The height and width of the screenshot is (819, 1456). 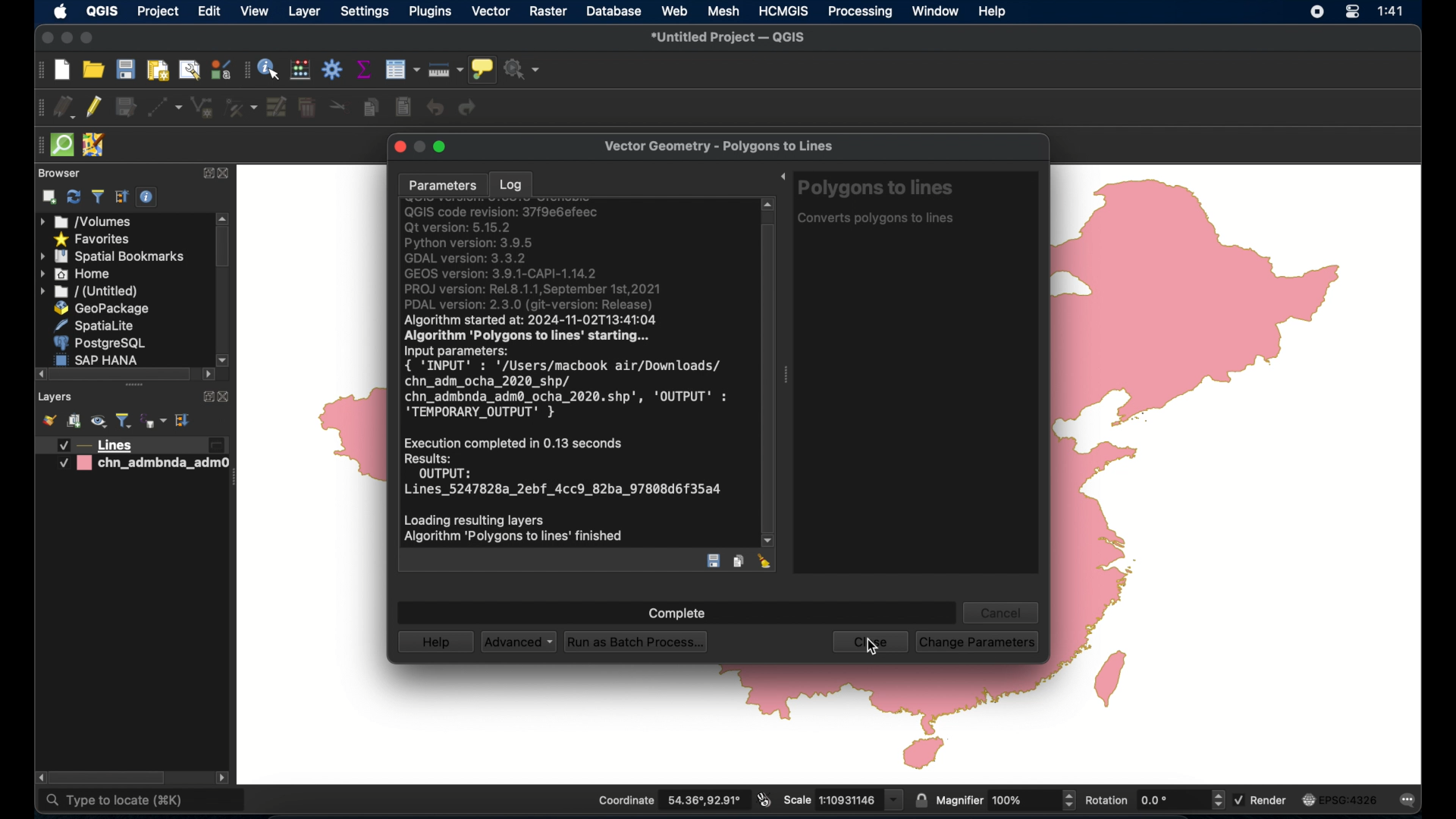 What do you see at coordinates (241, 108) in the screenshot?
I see `vertex tool` at bounding box center [241, 108].